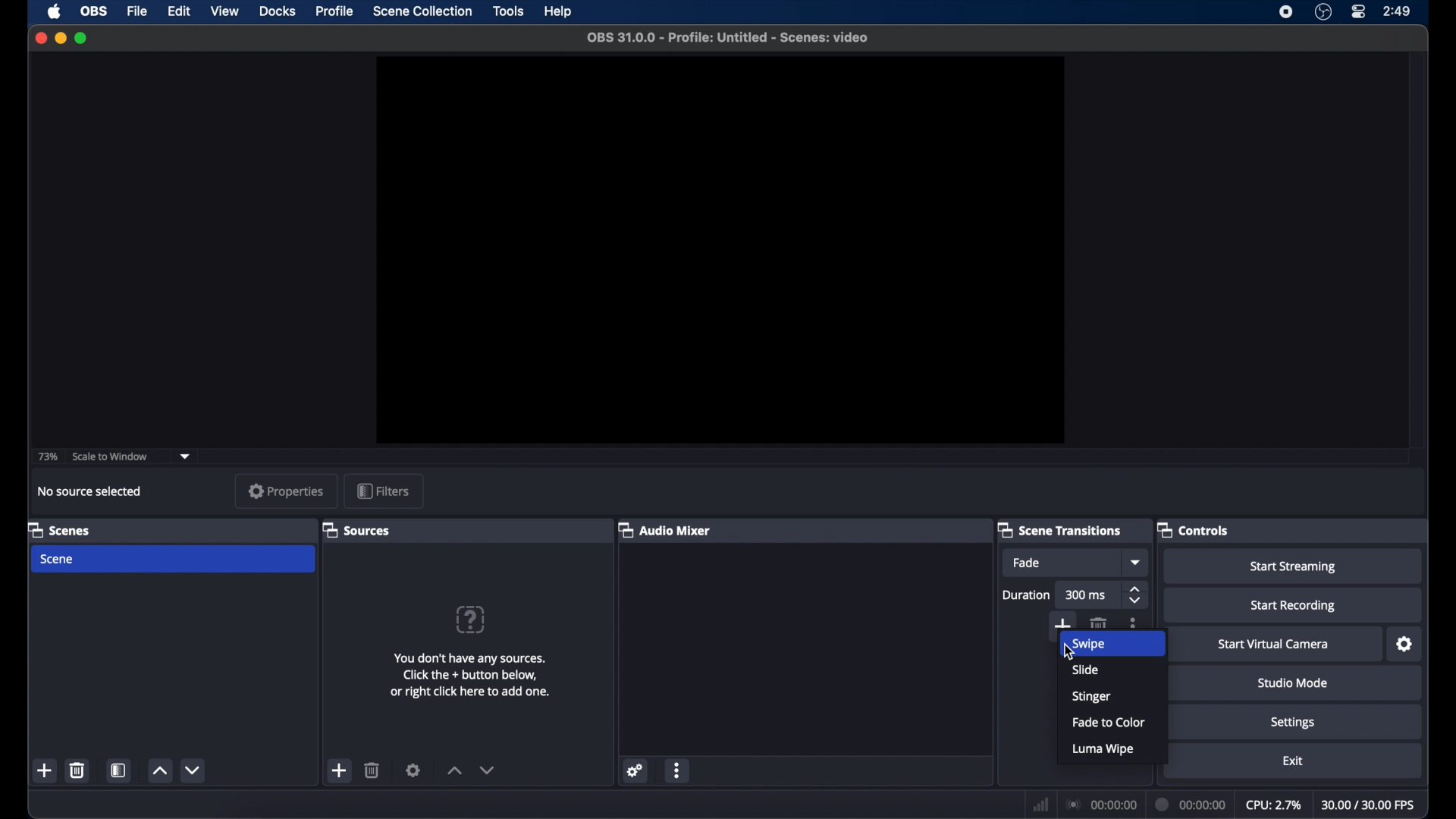  I want to click on sources, so click(356, 531).